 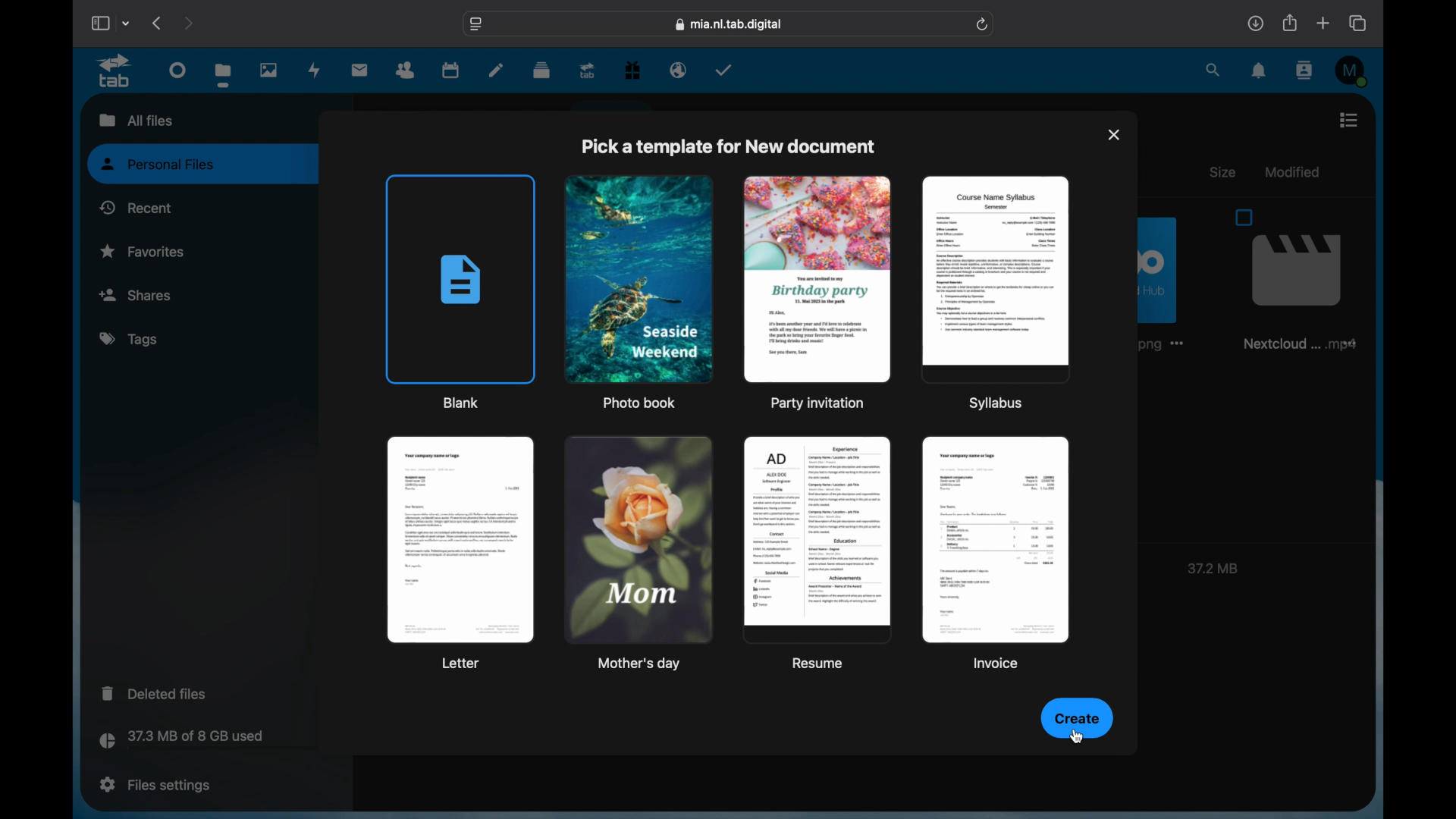 I want to click on share, so click(x=1291, y=23).